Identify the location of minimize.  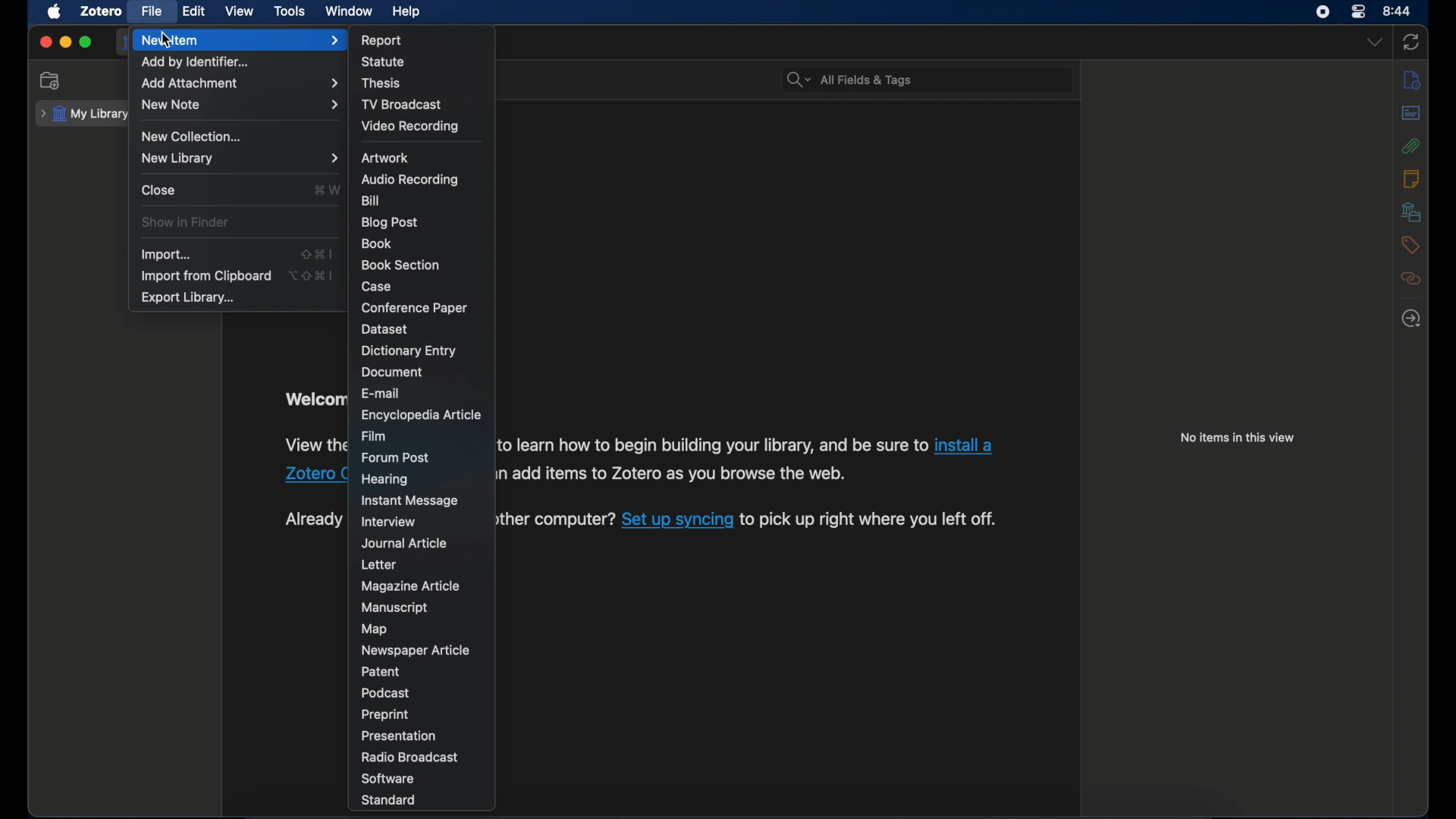
(67, 42).